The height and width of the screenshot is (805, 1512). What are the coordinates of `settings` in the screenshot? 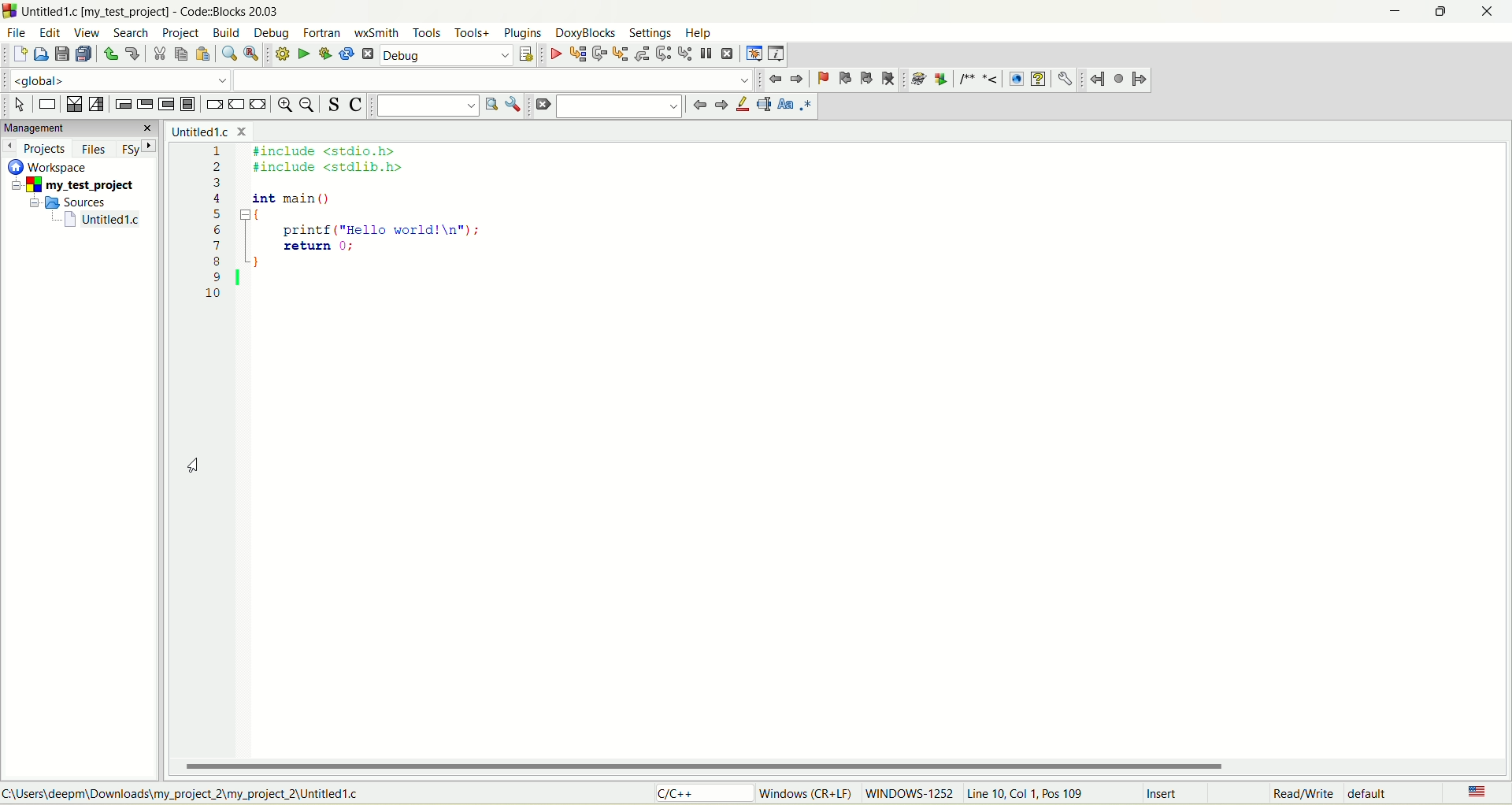 It's located at (650, 32).